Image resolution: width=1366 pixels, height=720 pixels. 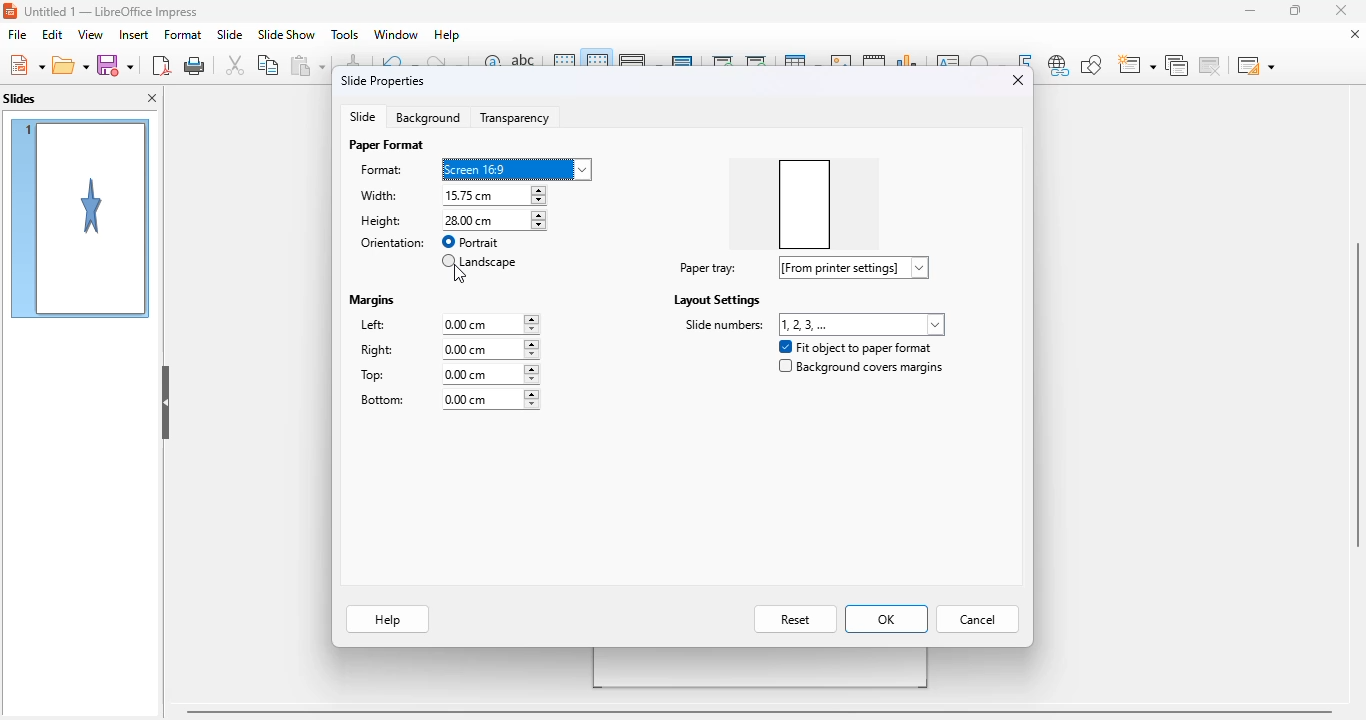 I want to click on right: 0.00 cm, so click(x=481, y=349).